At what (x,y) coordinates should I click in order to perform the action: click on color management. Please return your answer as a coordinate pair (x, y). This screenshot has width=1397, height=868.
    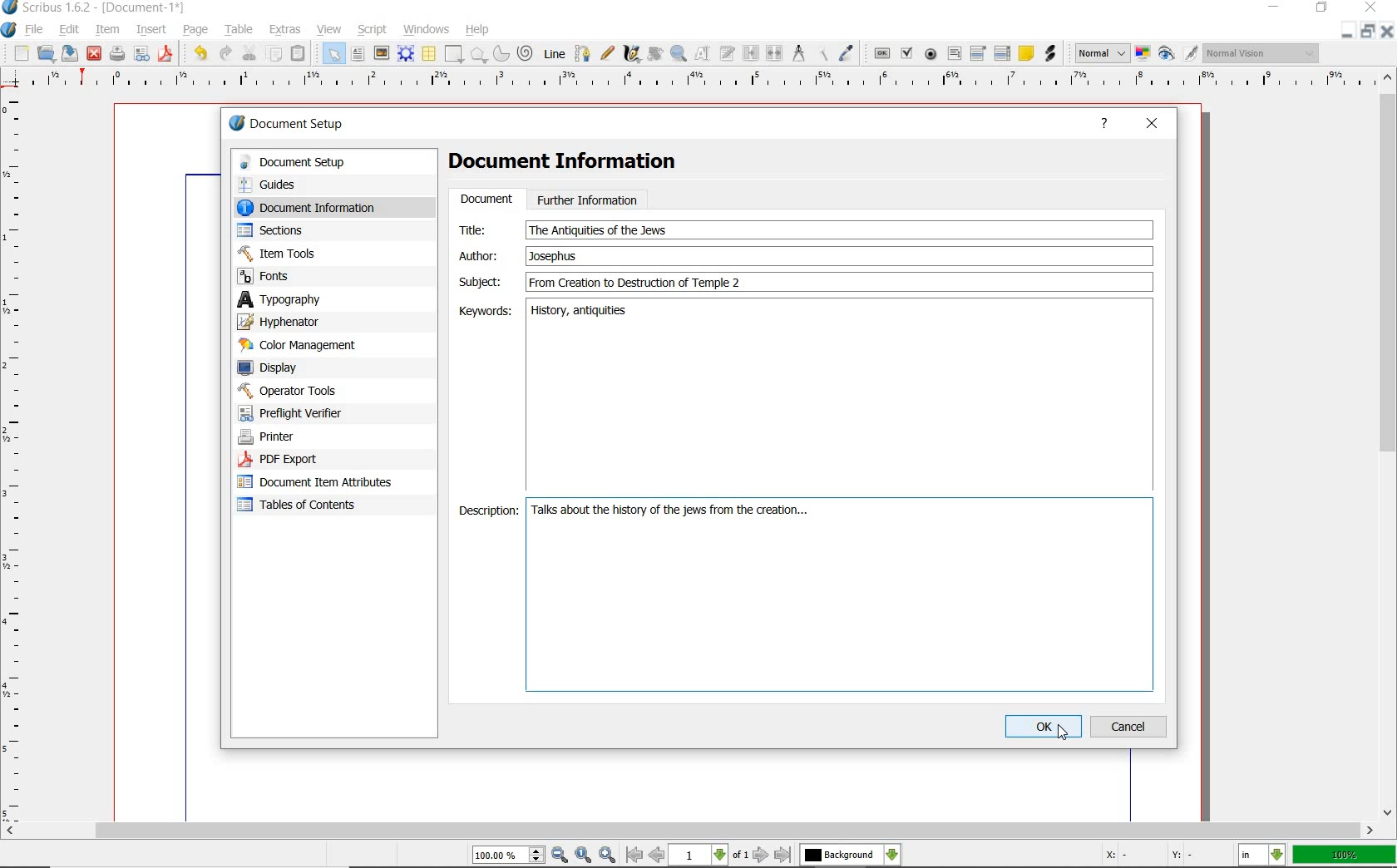
    Looking at the image, I should click on (301, 345).